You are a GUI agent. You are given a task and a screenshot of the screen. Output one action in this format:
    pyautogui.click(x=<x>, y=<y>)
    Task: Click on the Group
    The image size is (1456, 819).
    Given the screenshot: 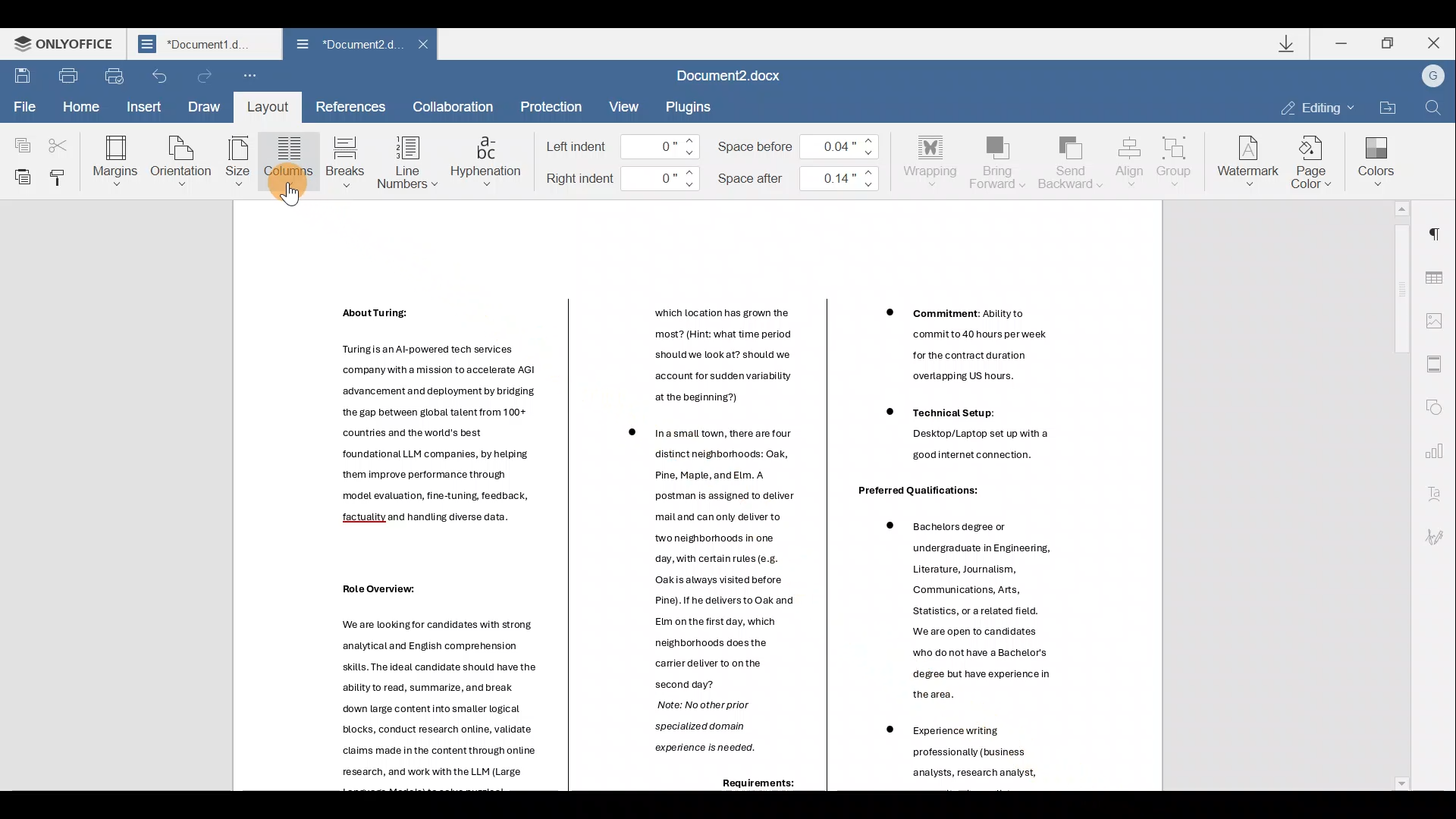 What is the action you would take?
    pyautogui.click(x=1177, y=157)
    